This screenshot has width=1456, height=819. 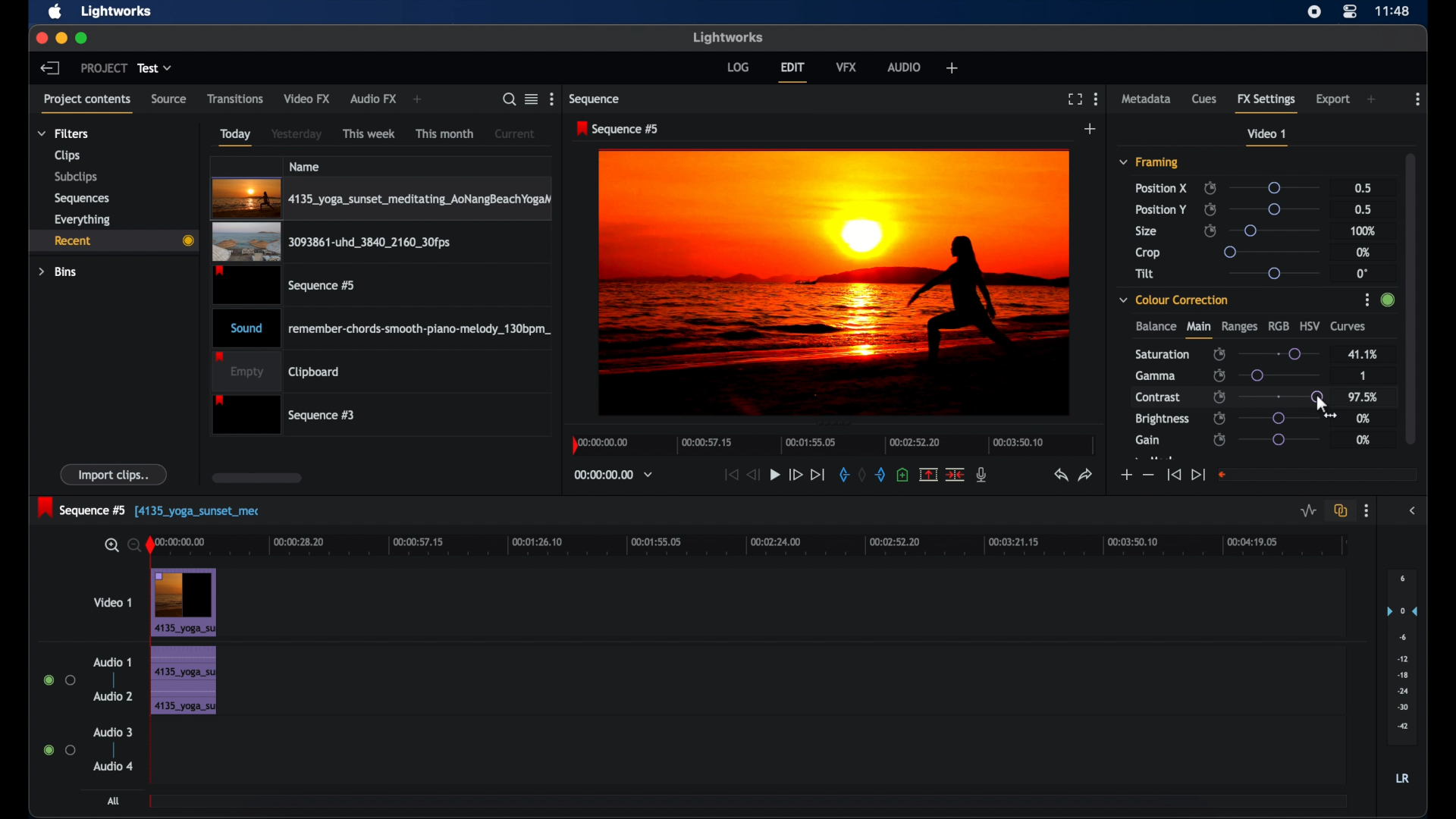 What do you see at coordinates (381, 199) in the screenshot?
I see `video clip highlighted` at bounding box center [381, 199].